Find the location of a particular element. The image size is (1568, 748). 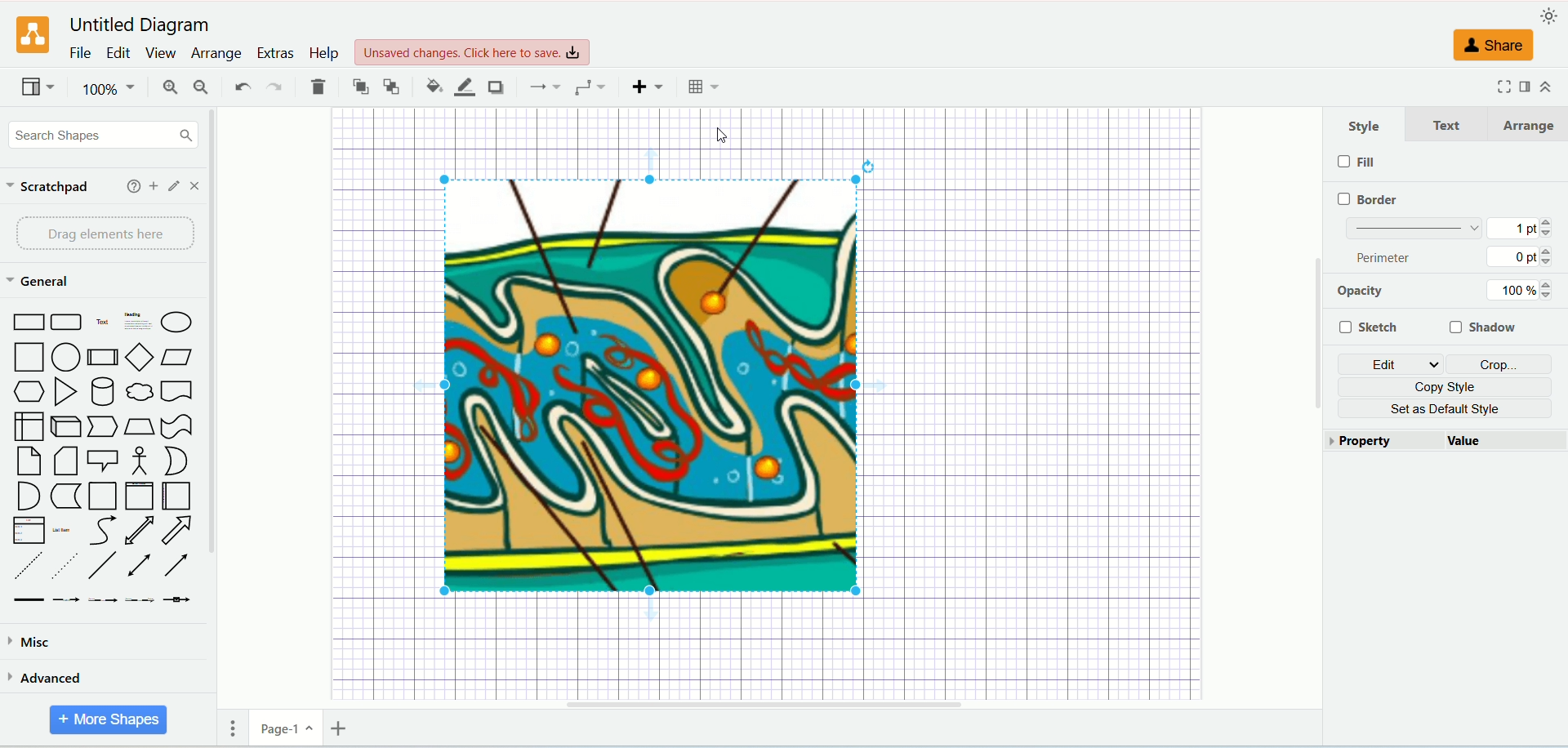

Horizontal Container is located at coordinates (178, 497).